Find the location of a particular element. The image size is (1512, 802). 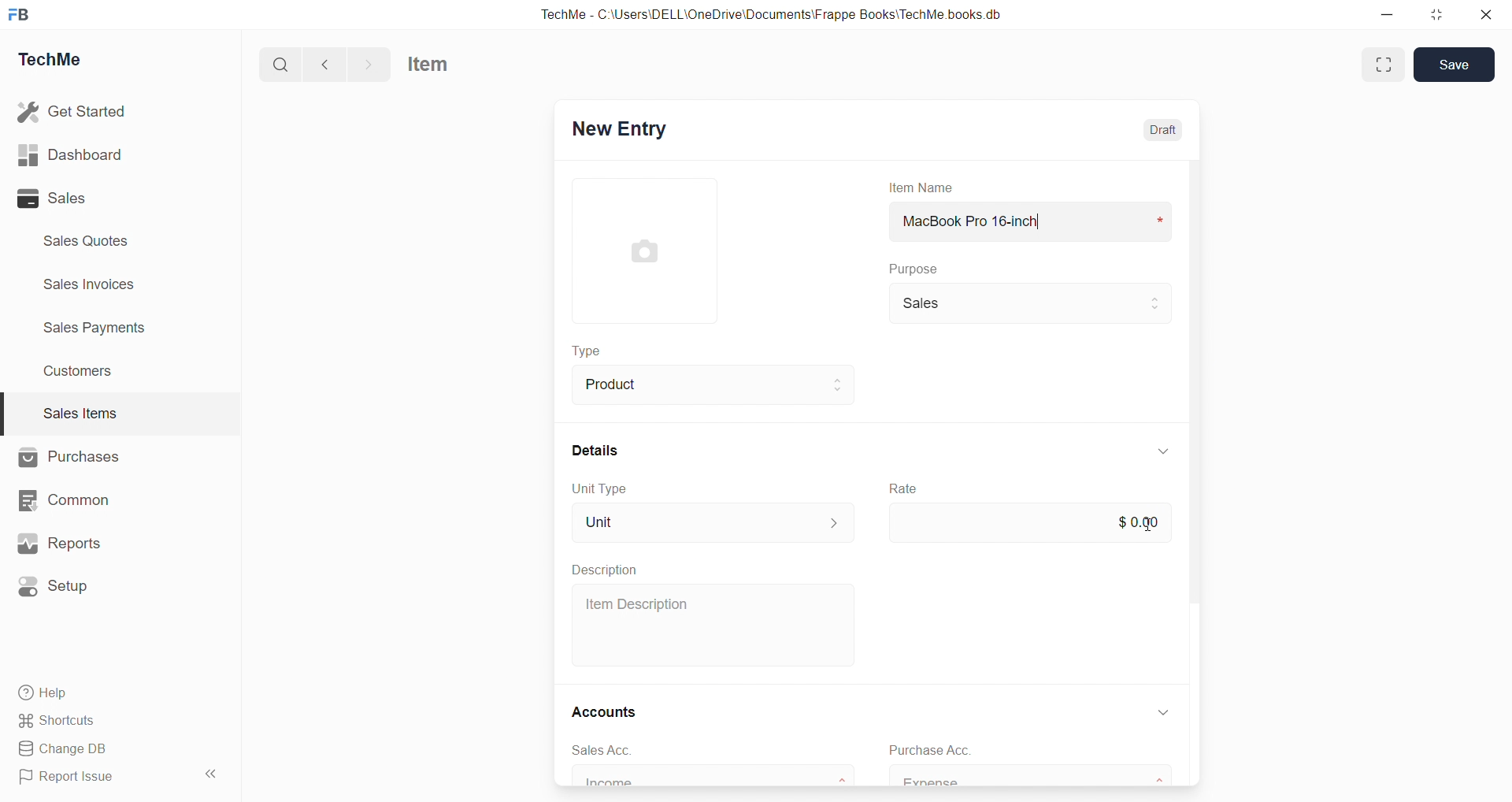

cursor is located at coordinates (1148, 526).